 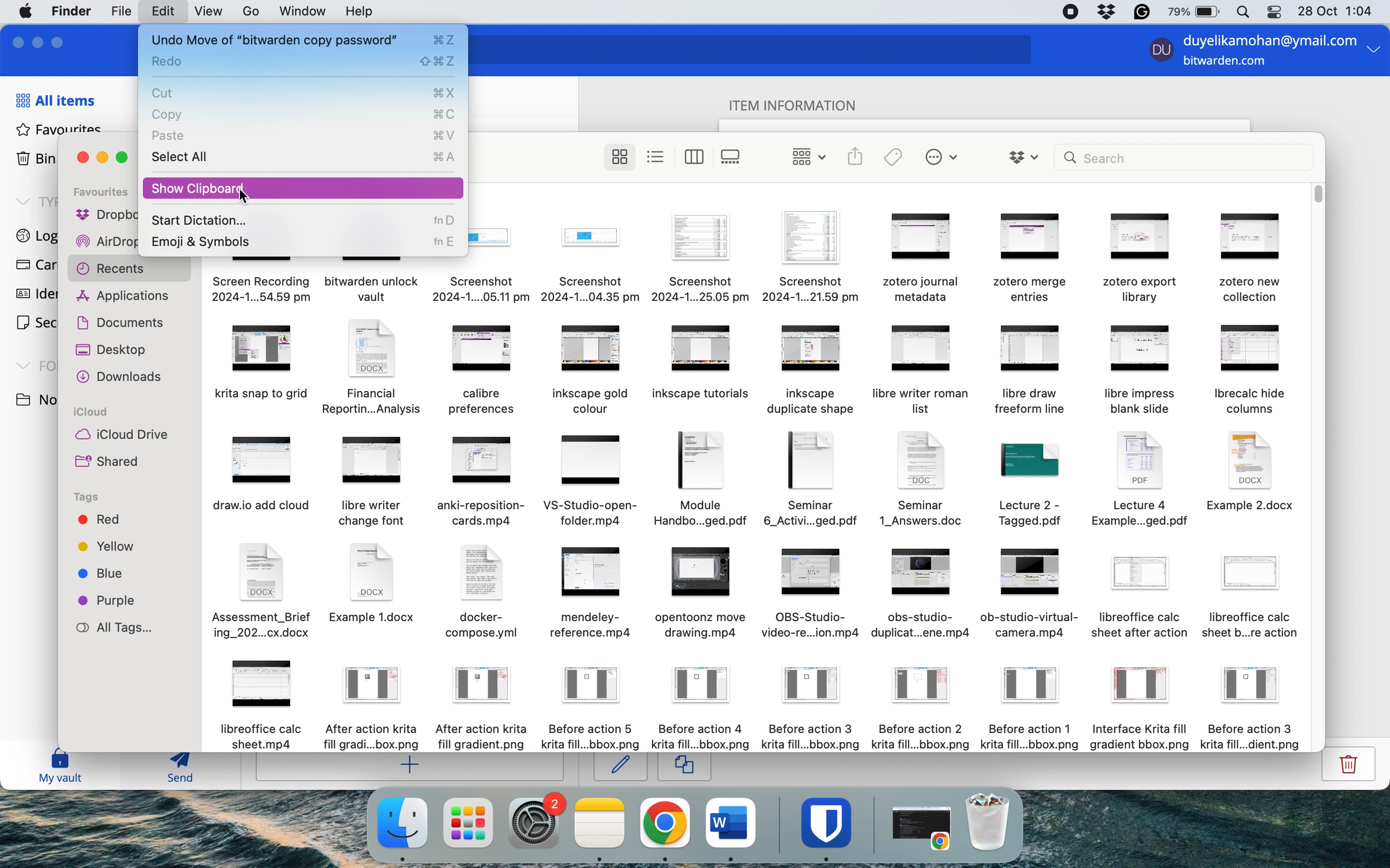 I want to click on maximise, so click(x=126, y=157).